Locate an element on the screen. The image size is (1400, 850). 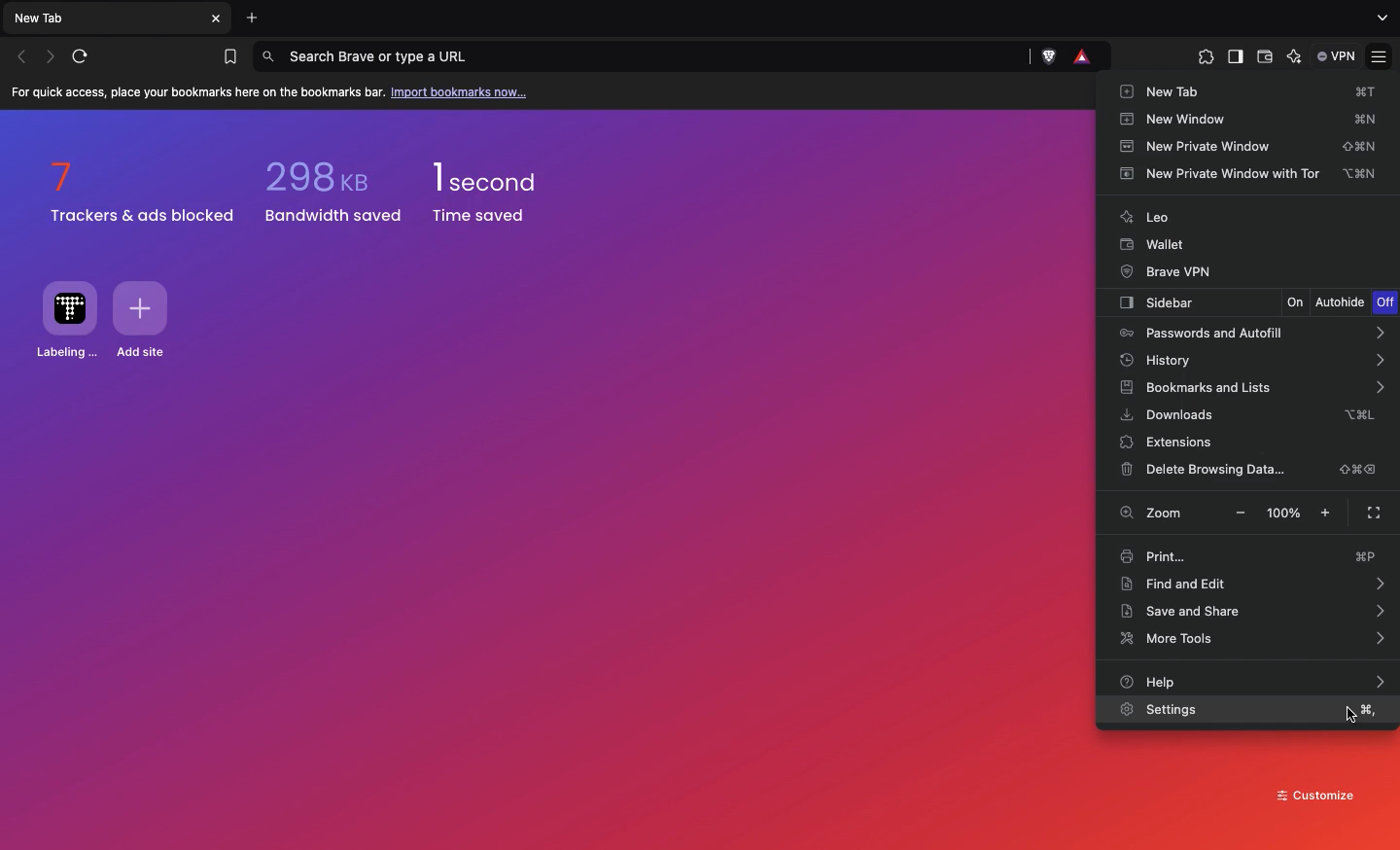
Sidebar is located at coordinates (1158, 300).